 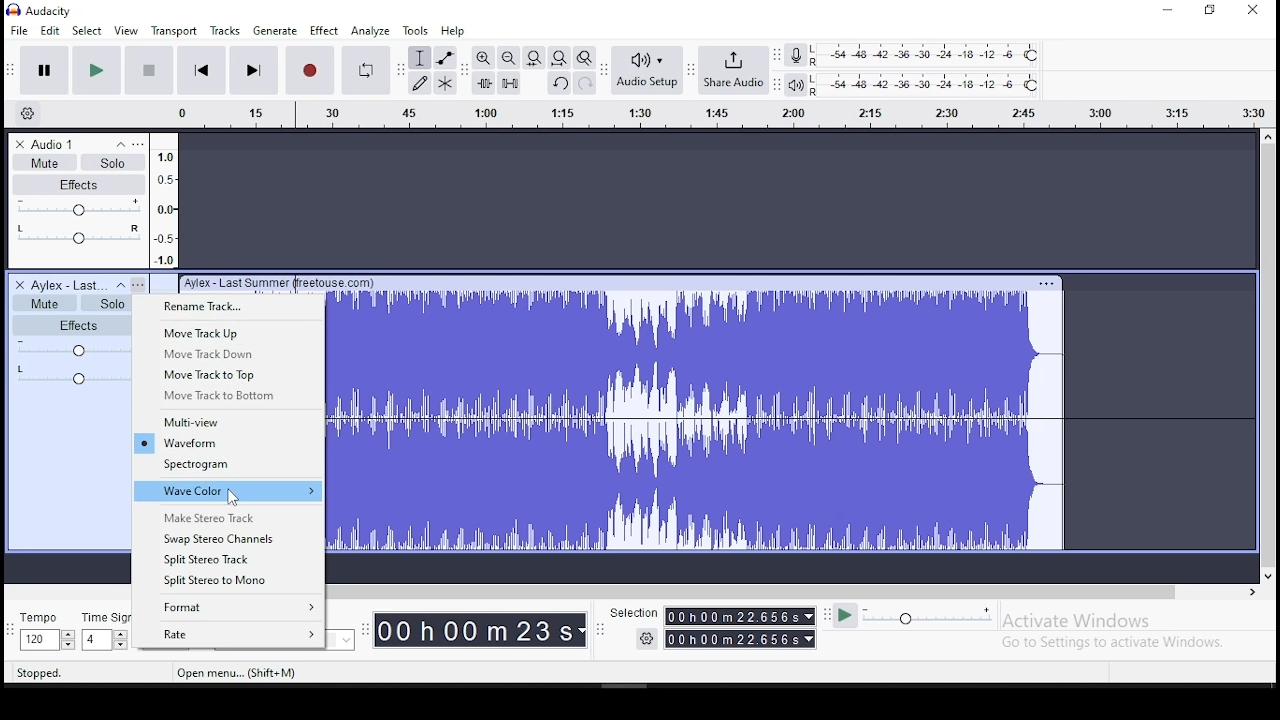 What do you see at coordinates (939, 85) in the screenshot?
I see `playback level` at bounding box center [939, 85].